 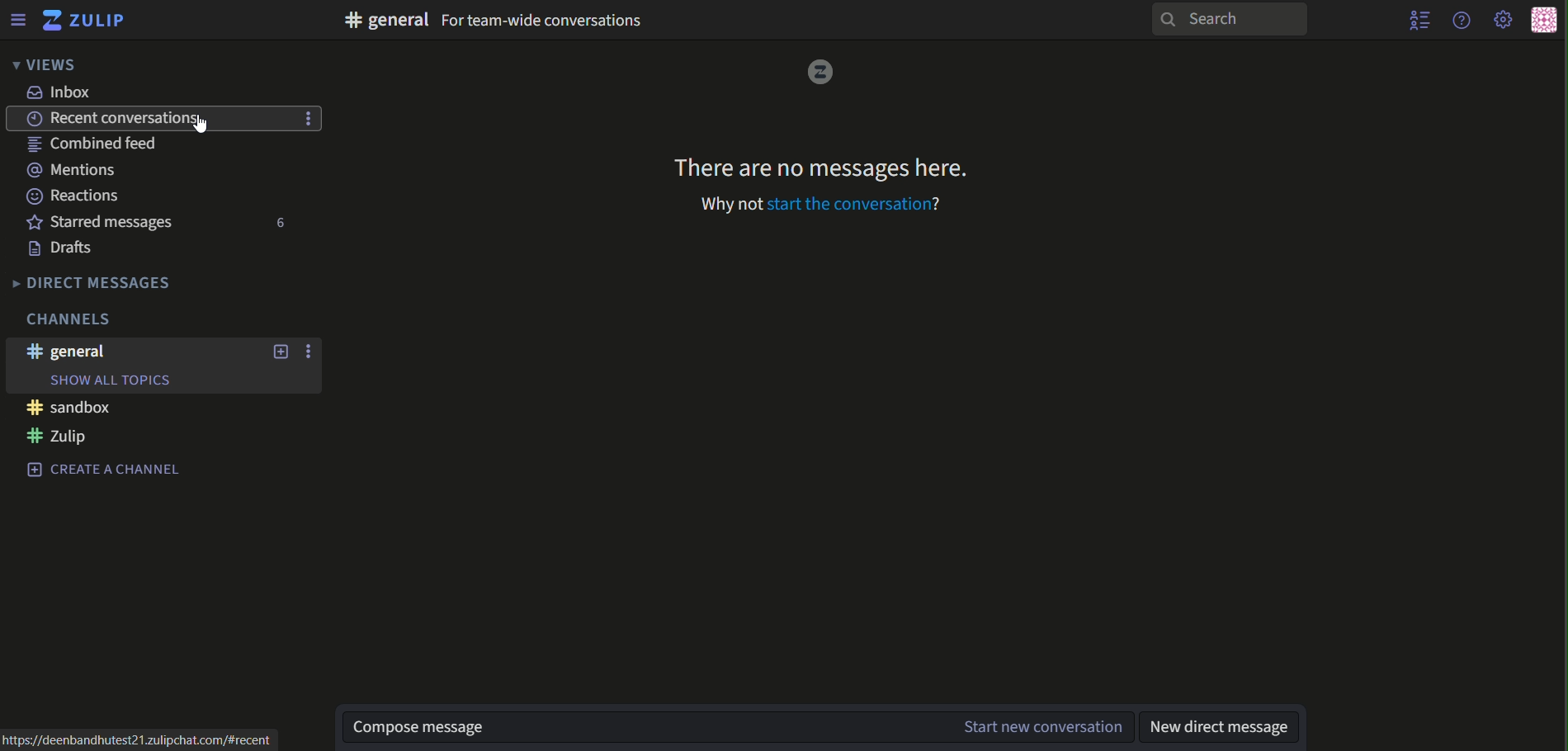 I want to click on Menu, so click(x=17, y=19).